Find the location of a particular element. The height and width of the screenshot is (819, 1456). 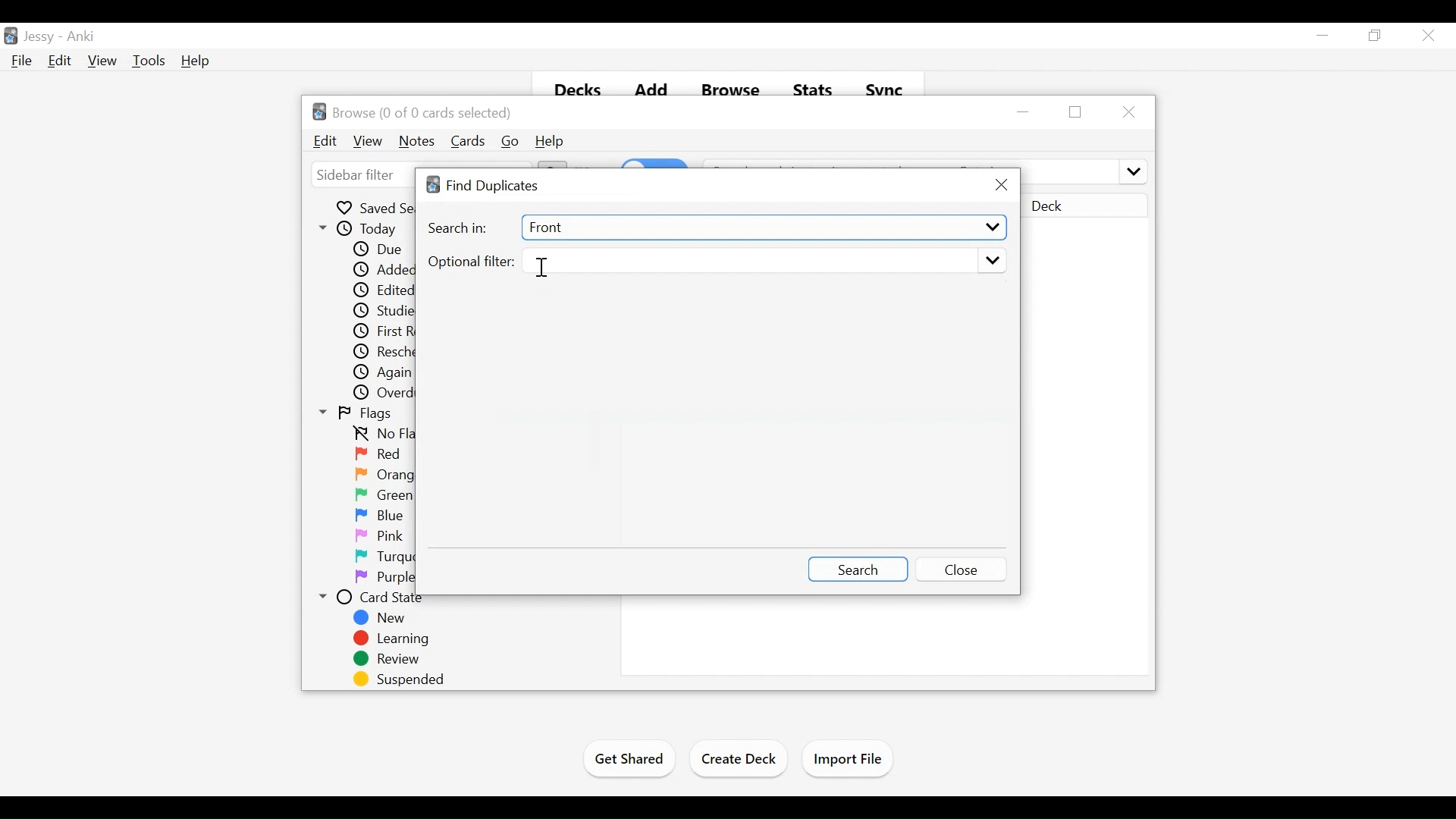

Help is located at coordinates (550, 142).